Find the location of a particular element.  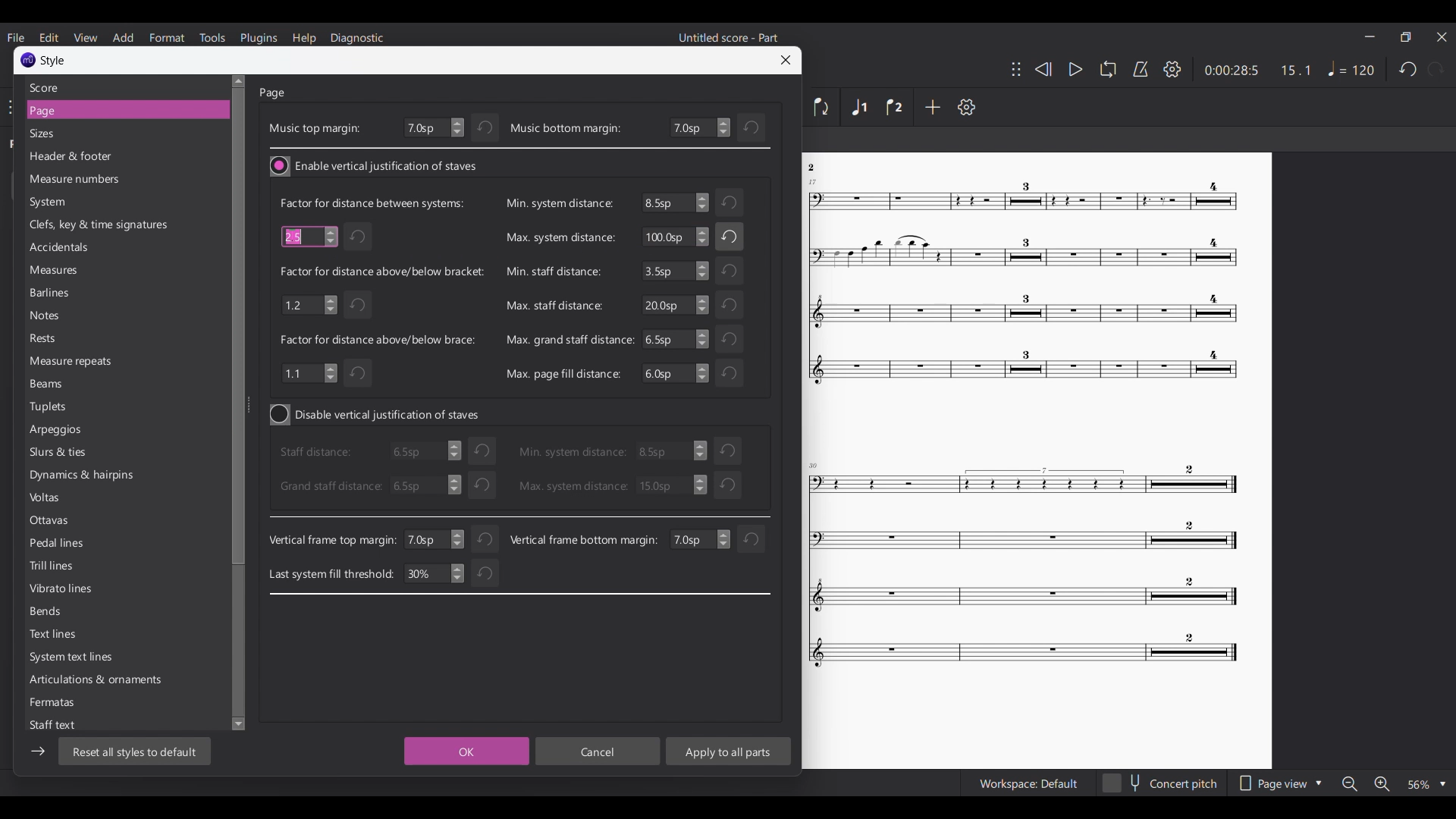

Page is located at coordinates (274, 93).